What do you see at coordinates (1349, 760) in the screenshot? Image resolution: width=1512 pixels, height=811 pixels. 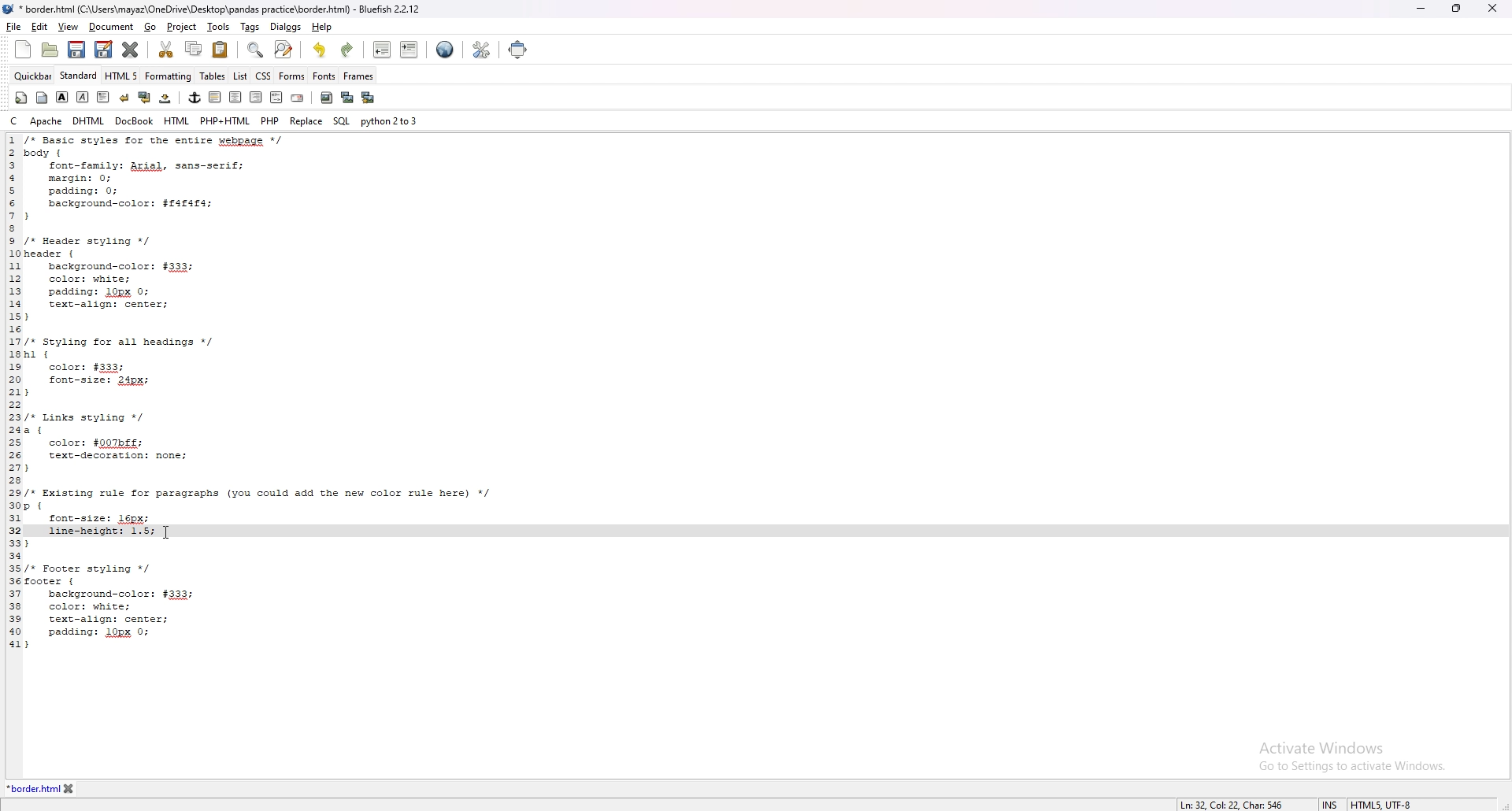 I see `Activate Windows Go to Settings to activate Windows` at bounding box center [1349, 760].